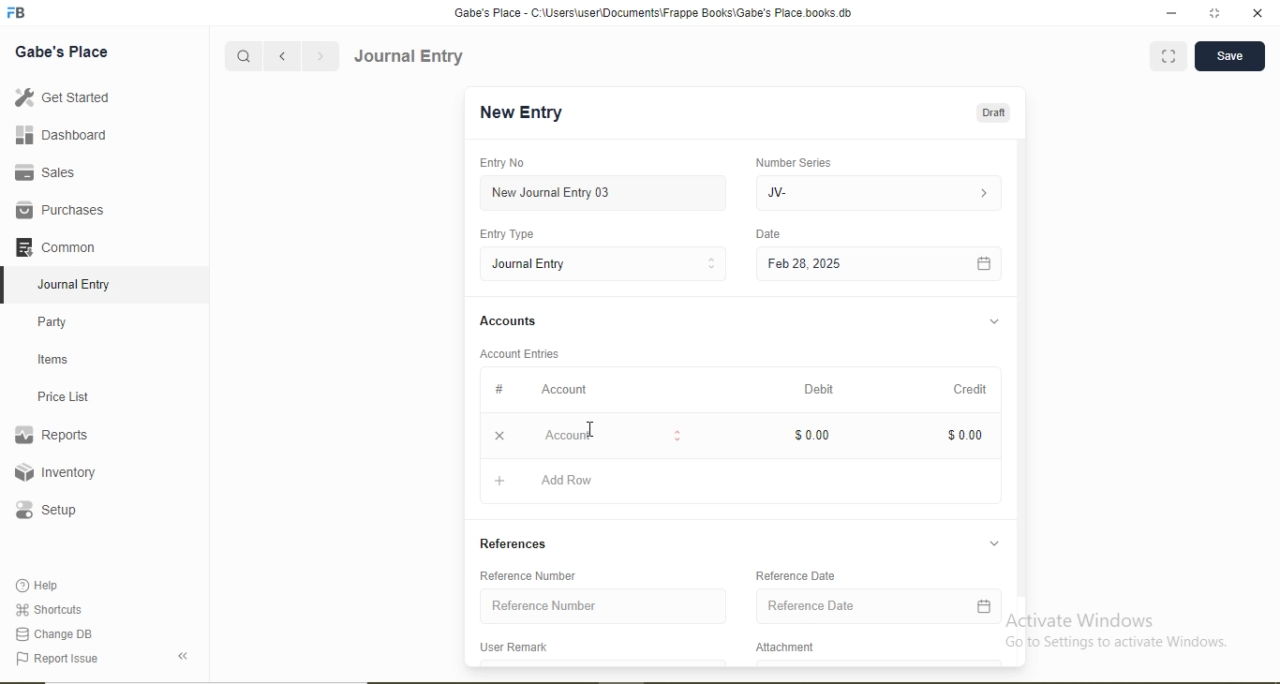  What do you see at coordinates (53, 359) in the screenshot?
I see `Items` at bounding box center [53, 359].